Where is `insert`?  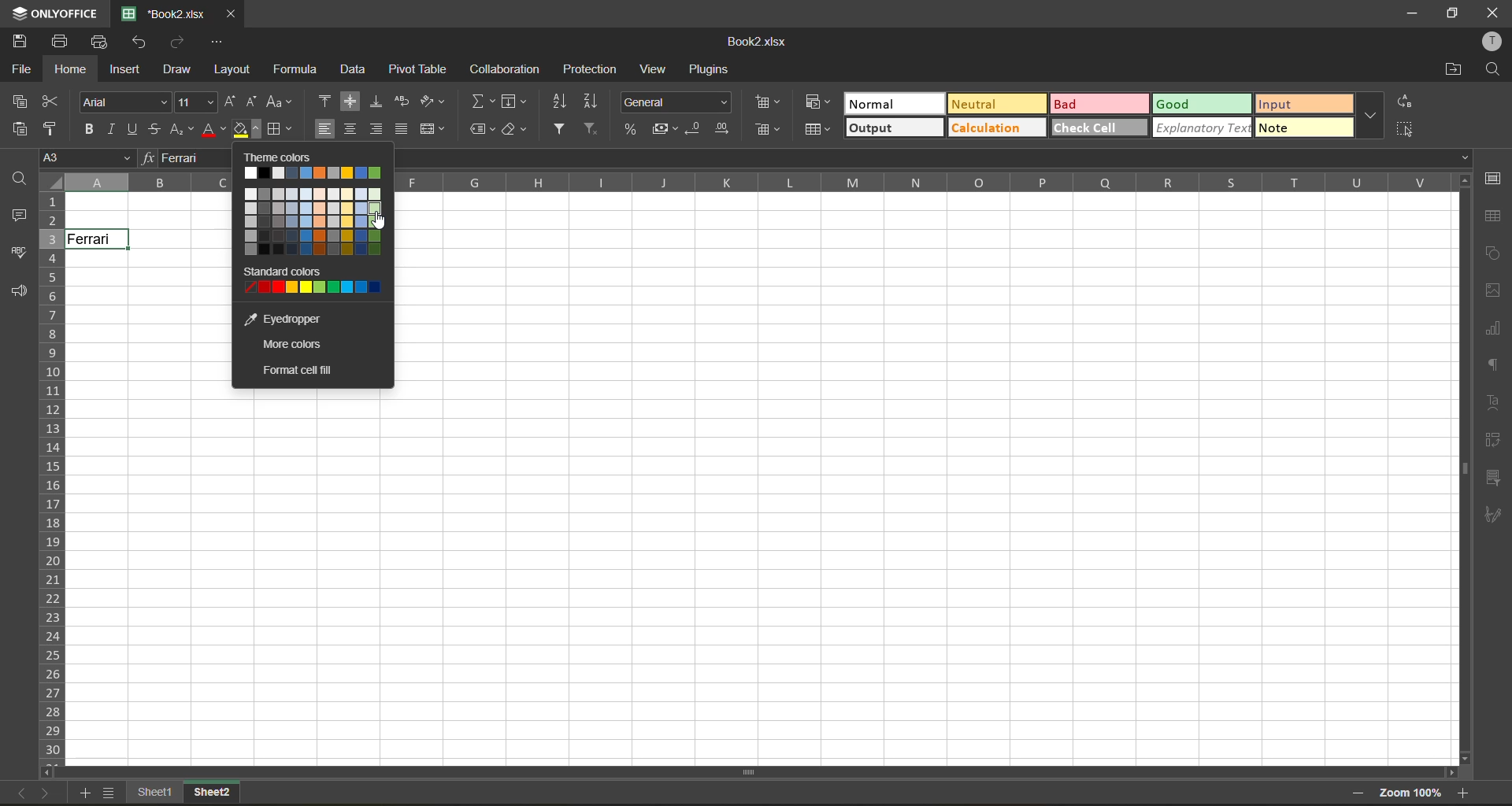
insert is located at coordinates (128, 70).